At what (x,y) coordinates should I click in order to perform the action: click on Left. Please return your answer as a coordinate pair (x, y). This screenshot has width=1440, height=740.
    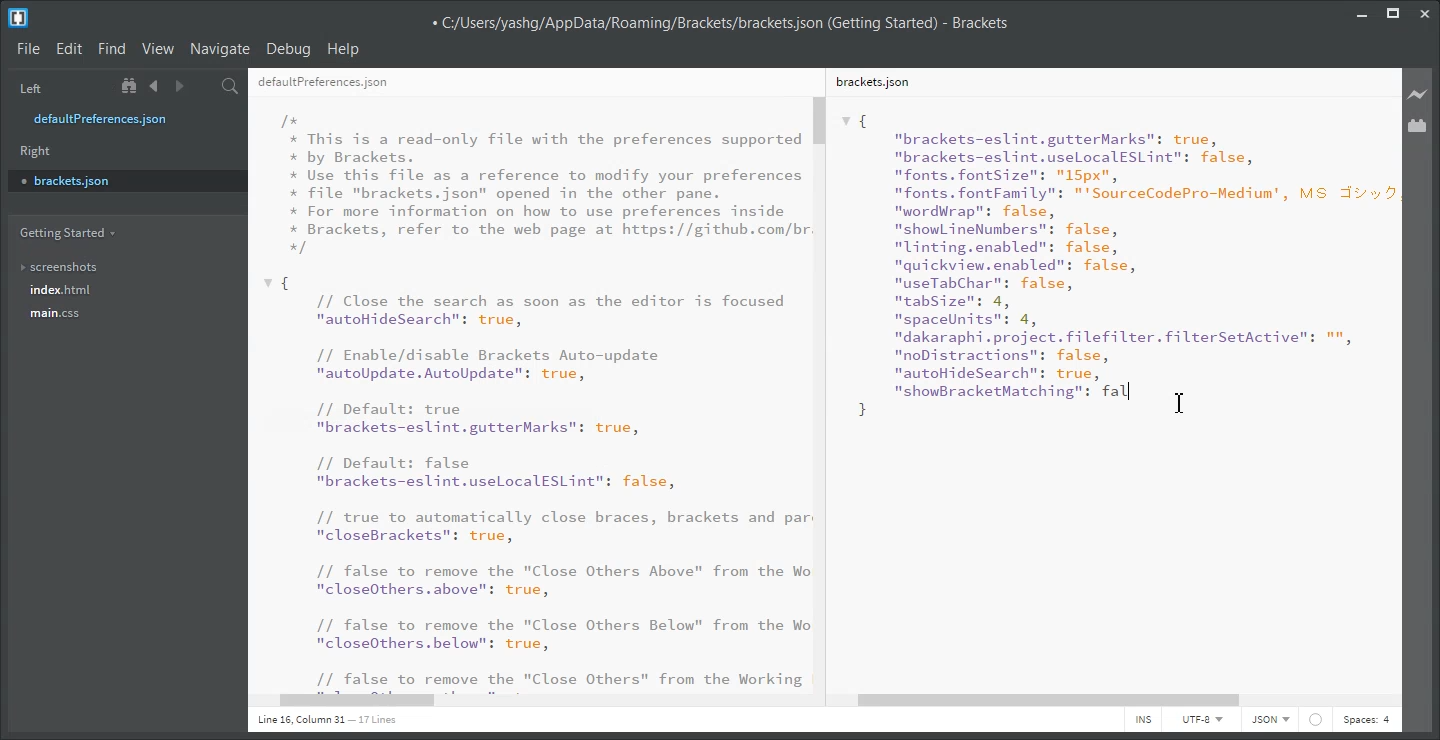
    Looking at the image, I should click on (28, 87).